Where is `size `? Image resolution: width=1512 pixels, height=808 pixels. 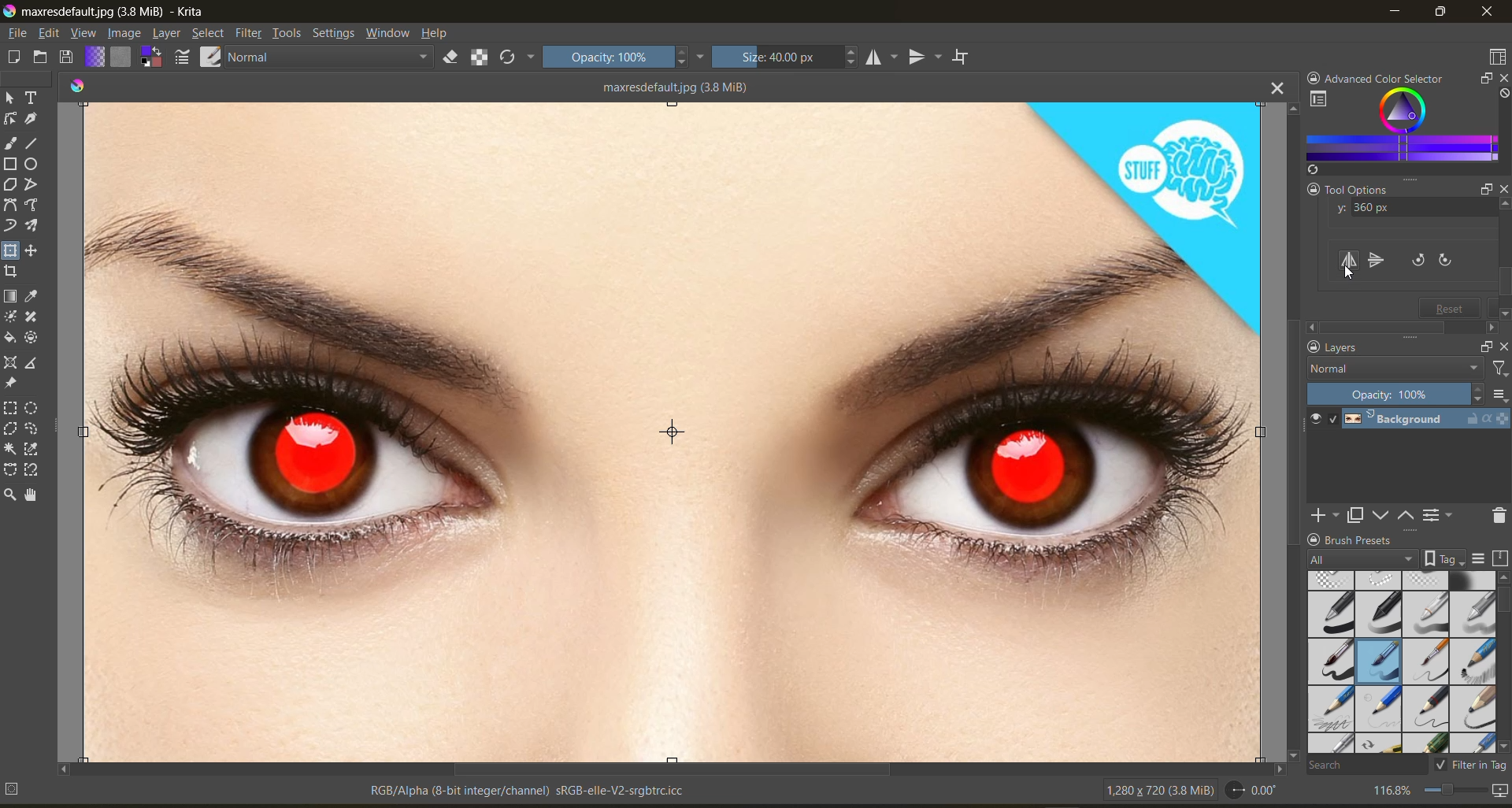 size  is located at coordinates (789, 57).